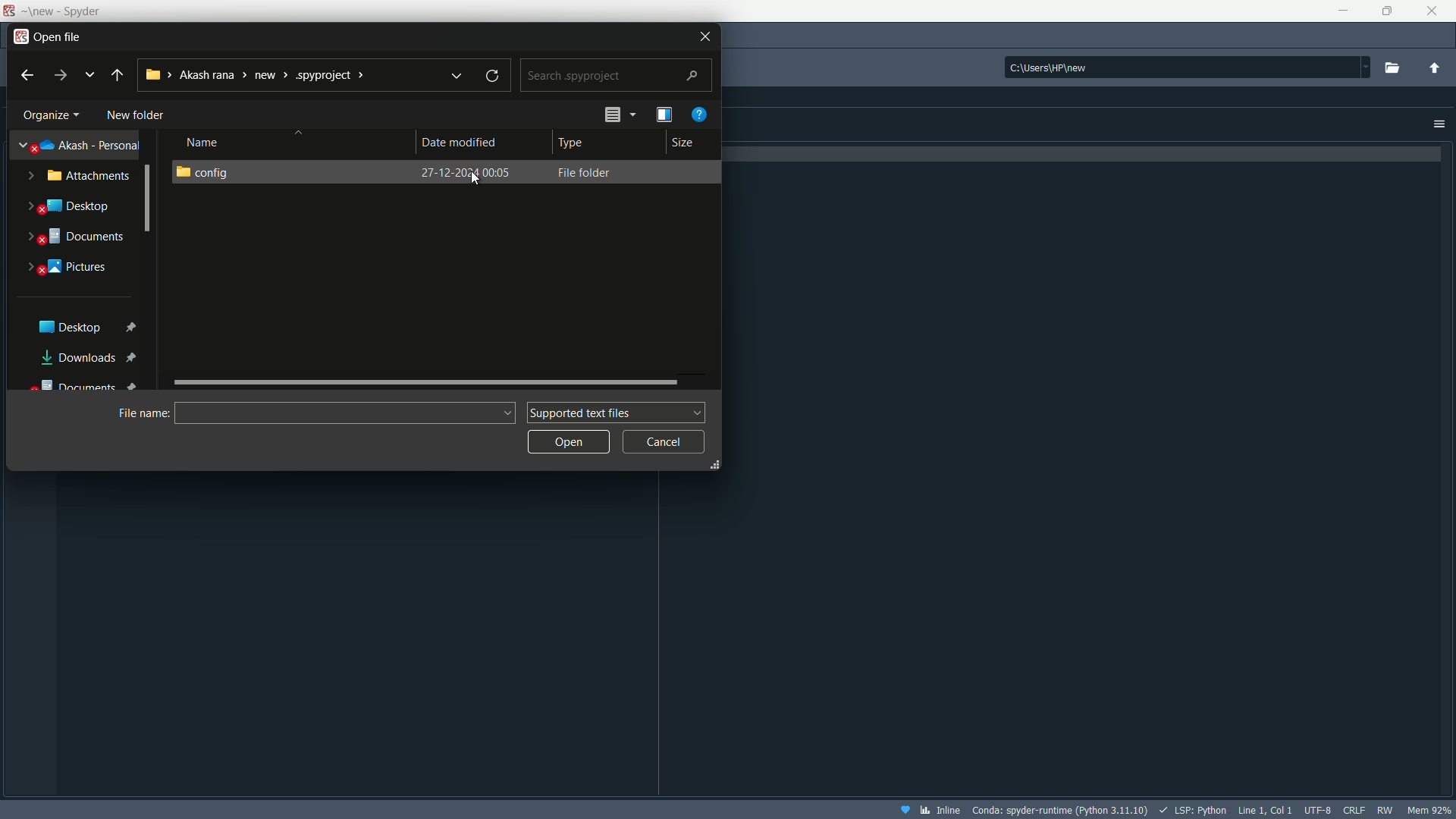 Image resolution: width=1456 pixels, height=819 pixels. Describe the element at coordinates (930, 809) in the screenshot. I see `inline` at that location.